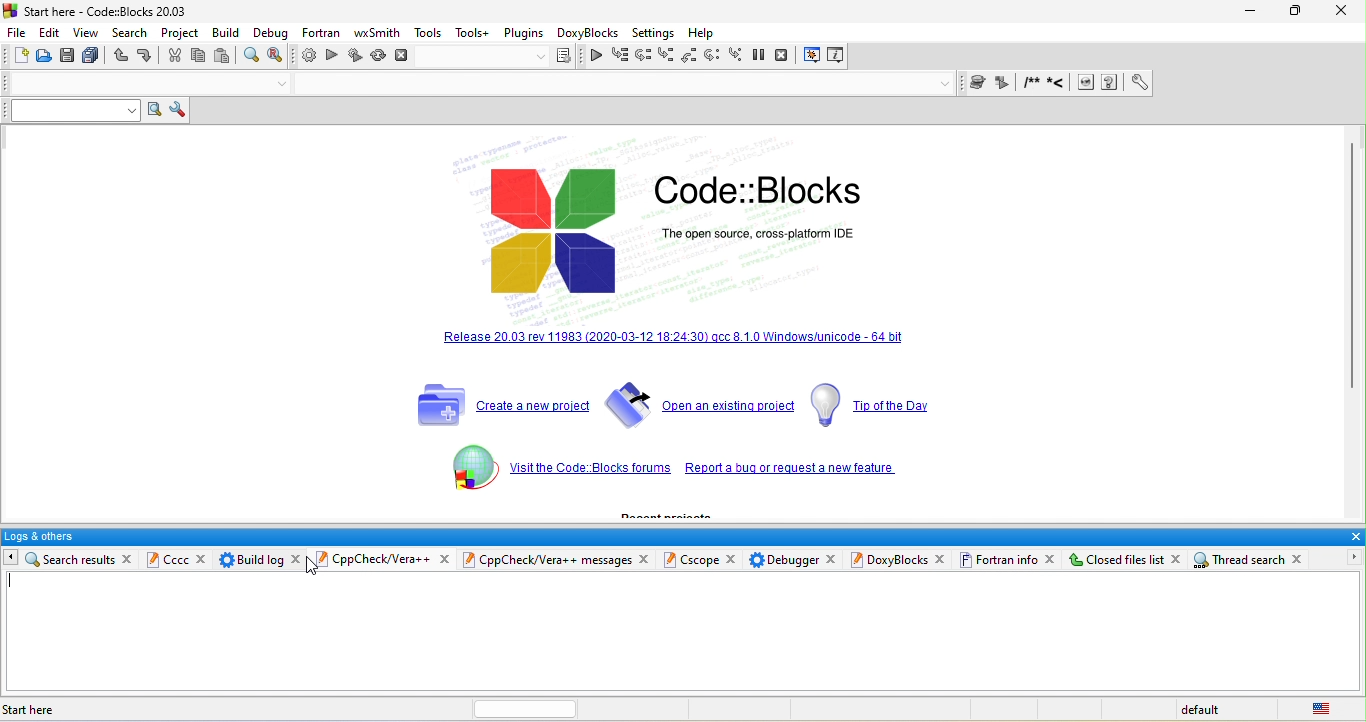  What do you see at coordinates (779, 235) in the screenshot?
I see `the open source, cross-platform IDE` at bounding box center [779, 235].